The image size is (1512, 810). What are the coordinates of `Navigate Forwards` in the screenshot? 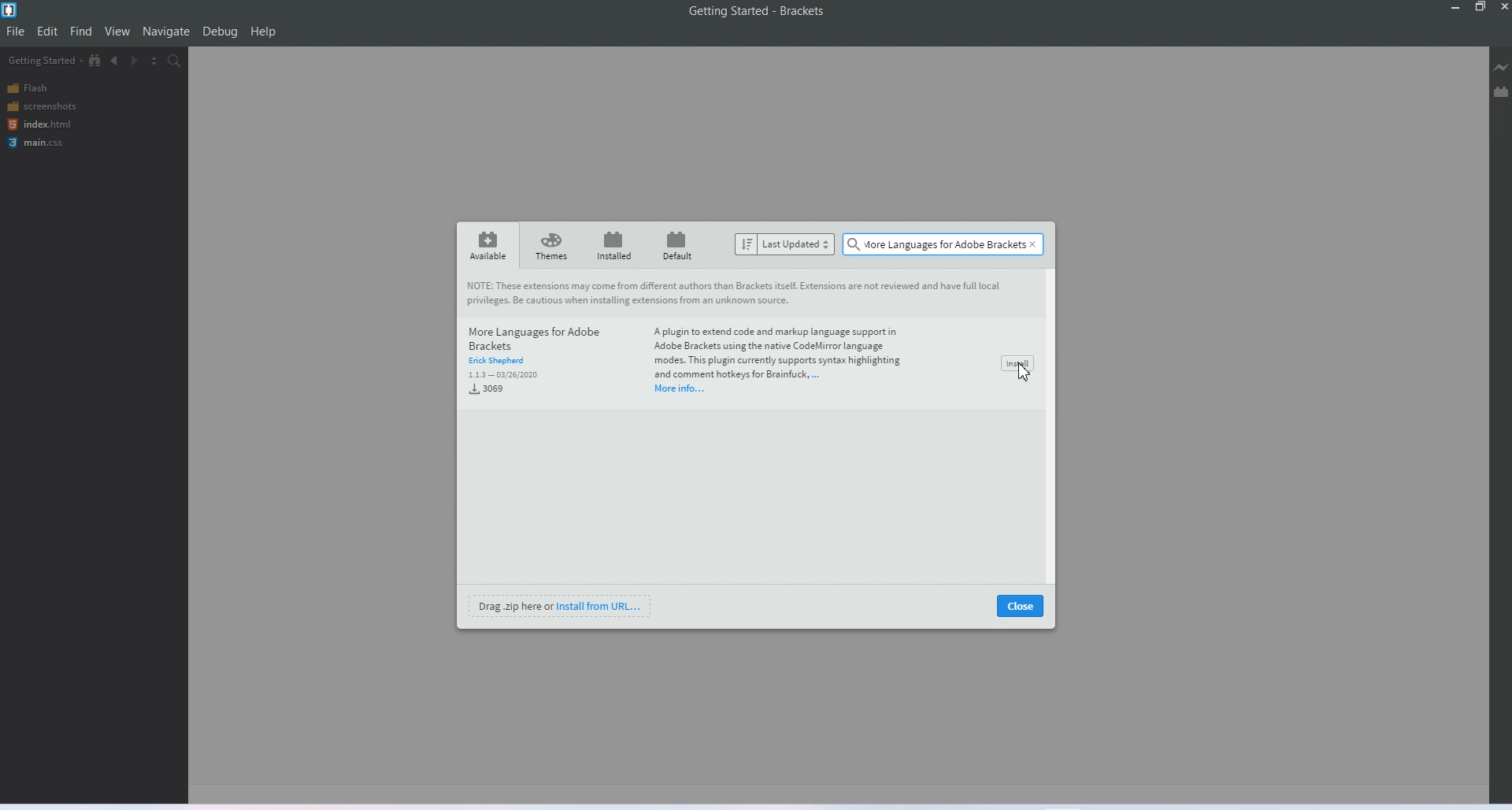 It's located at (135, 61).